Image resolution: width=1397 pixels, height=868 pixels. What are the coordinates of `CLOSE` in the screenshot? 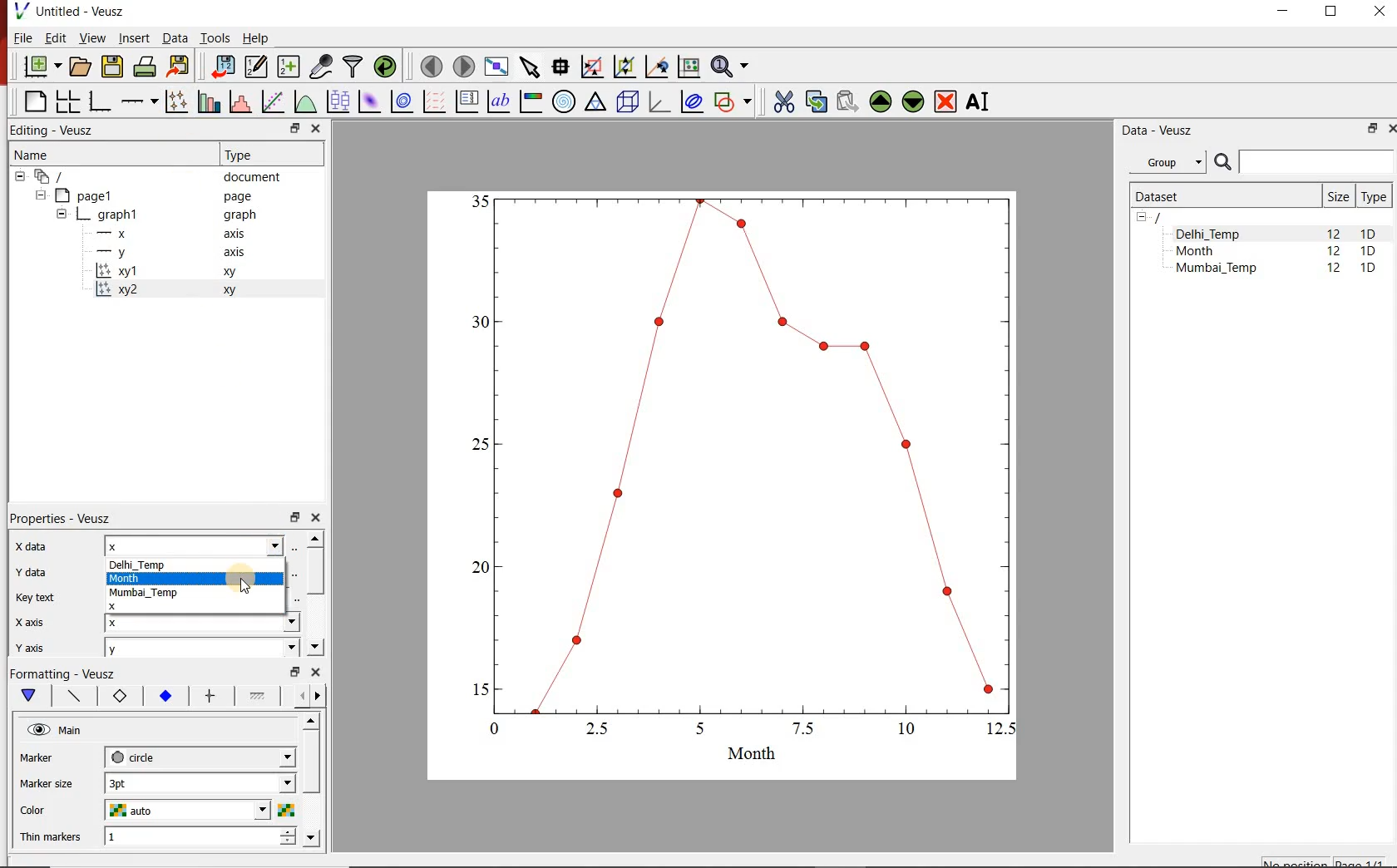 It's located at (1377, 11).